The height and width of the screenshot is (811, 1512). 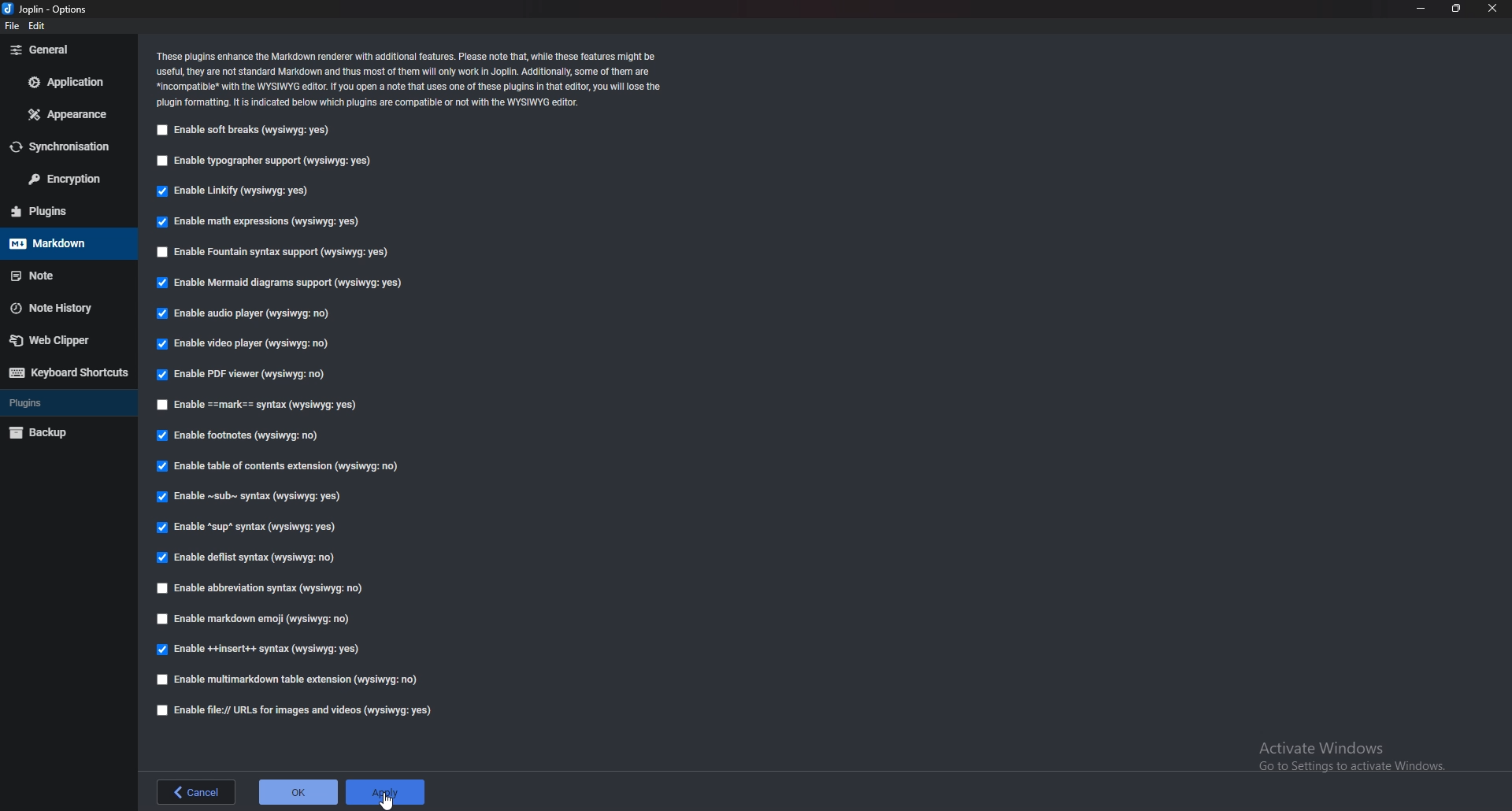 What do you see at coordinates (239, 436) in the screenshot?
I see `Enable footnotes` at bounding box center [239, 436].